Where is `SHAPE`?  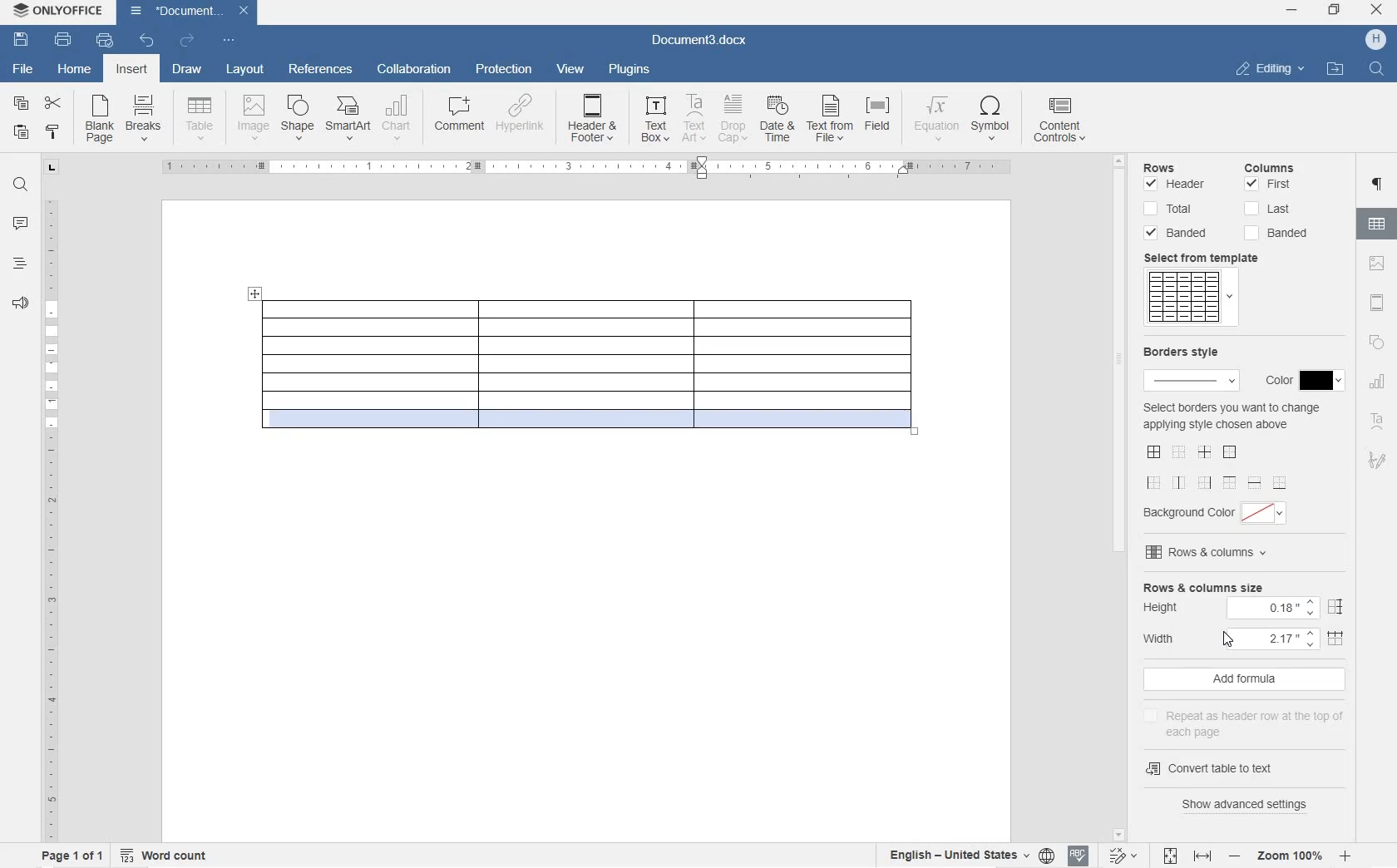 SHAPE is located at coordinates (1377, 342).